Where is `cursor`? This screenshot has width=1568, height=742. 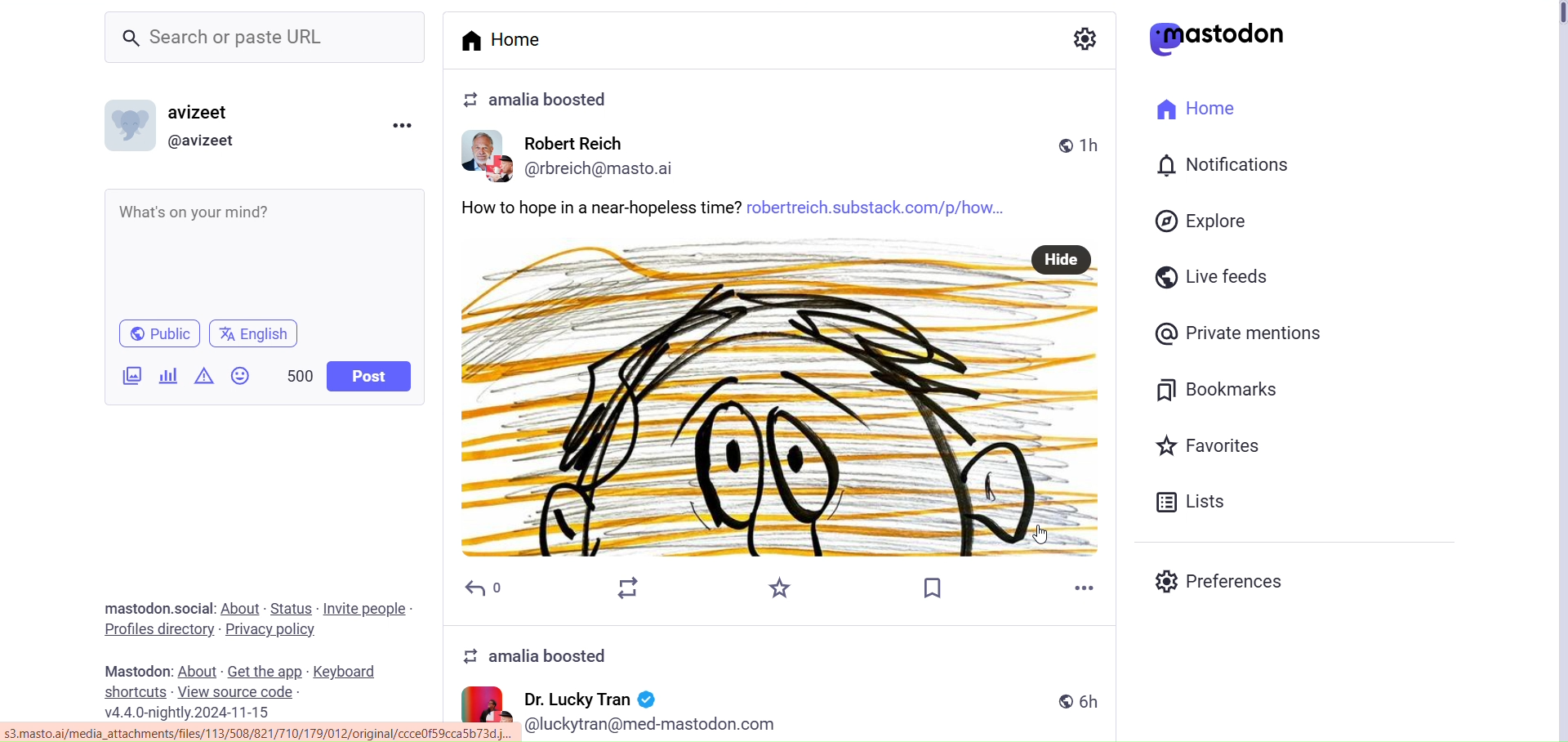 cursor is located at coordinates (1041, 528).